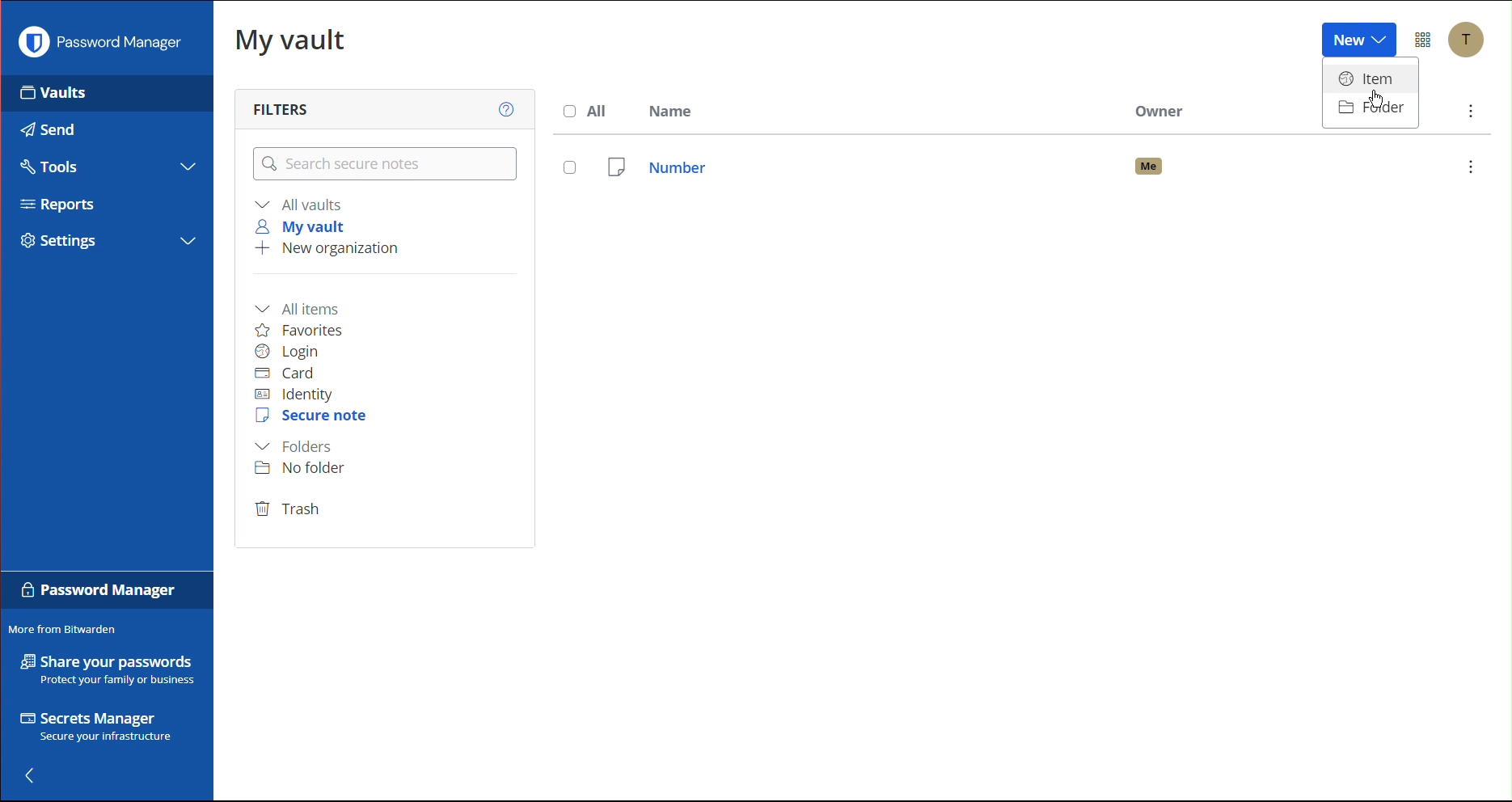 The height and width of the screenshot is (802, 1512). What do you see at coordinates (590, 111) in the screenshot?
I see `All ` at bounding box center [590, 111].